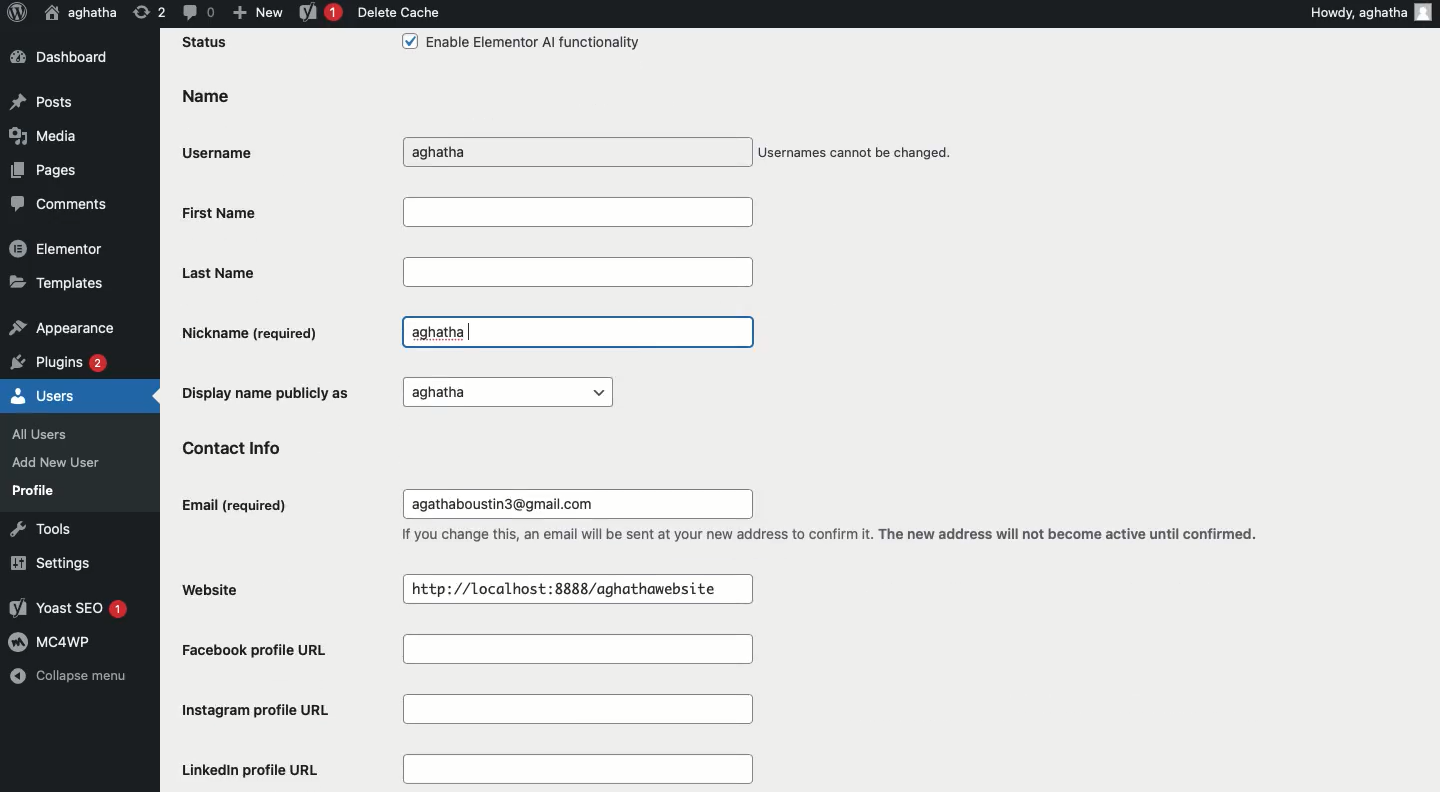  What do you see at coordinates (836, 535) in the screenshot?
I see `If you change this, an email will be sent at your new address to confirm it. The new address will not become active until confirmed.` at bounding box center [836, 535].